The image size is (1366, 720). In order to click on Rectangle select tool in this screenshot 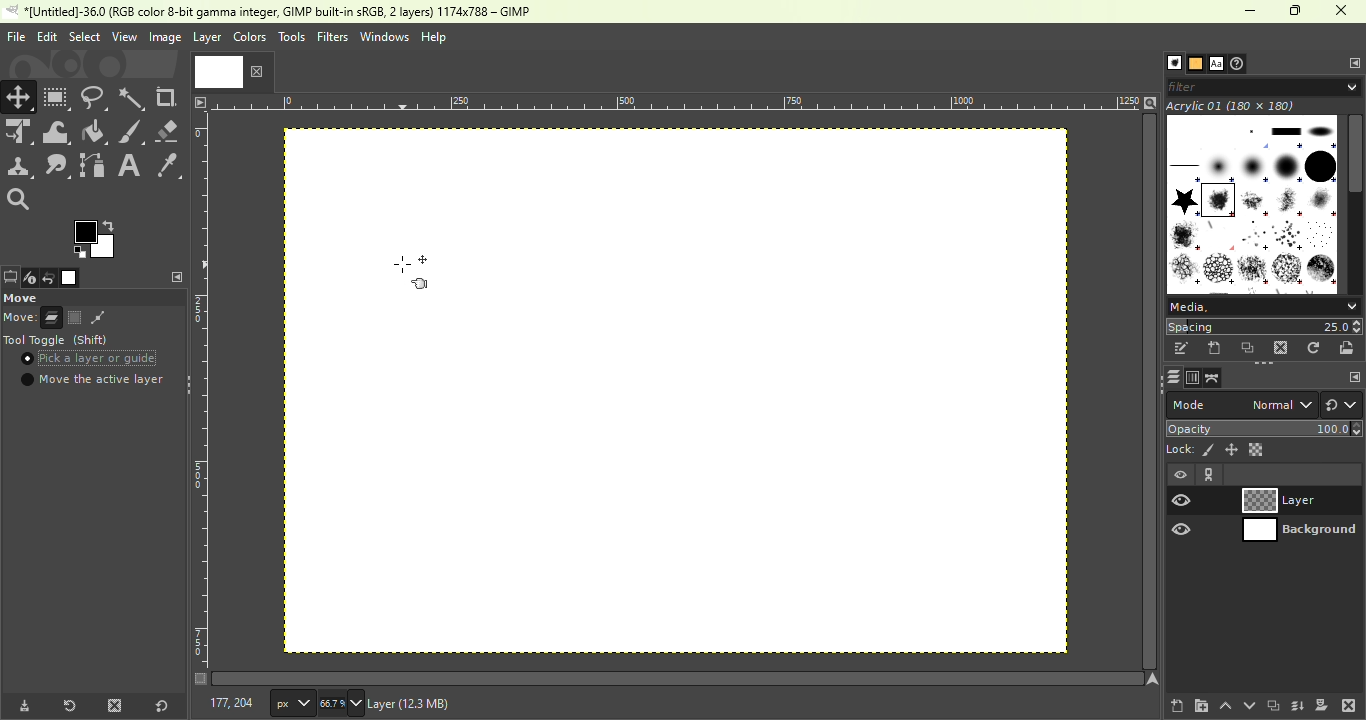, I will do `click(57, 97)`.